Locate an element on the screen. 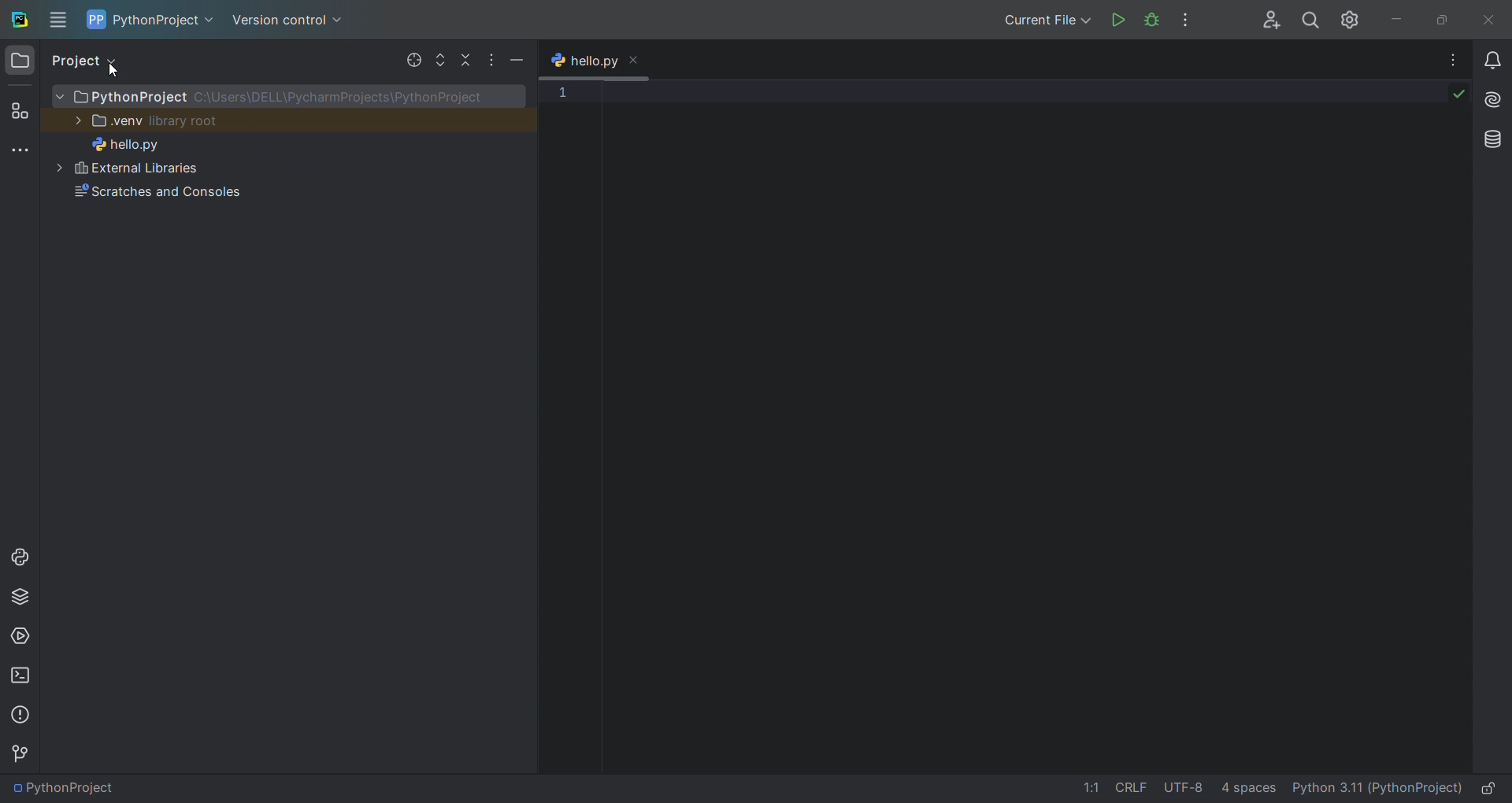 Image resolution: width=1512 pixels, height=803 pixels. problems is located at coordinates (20, 716).